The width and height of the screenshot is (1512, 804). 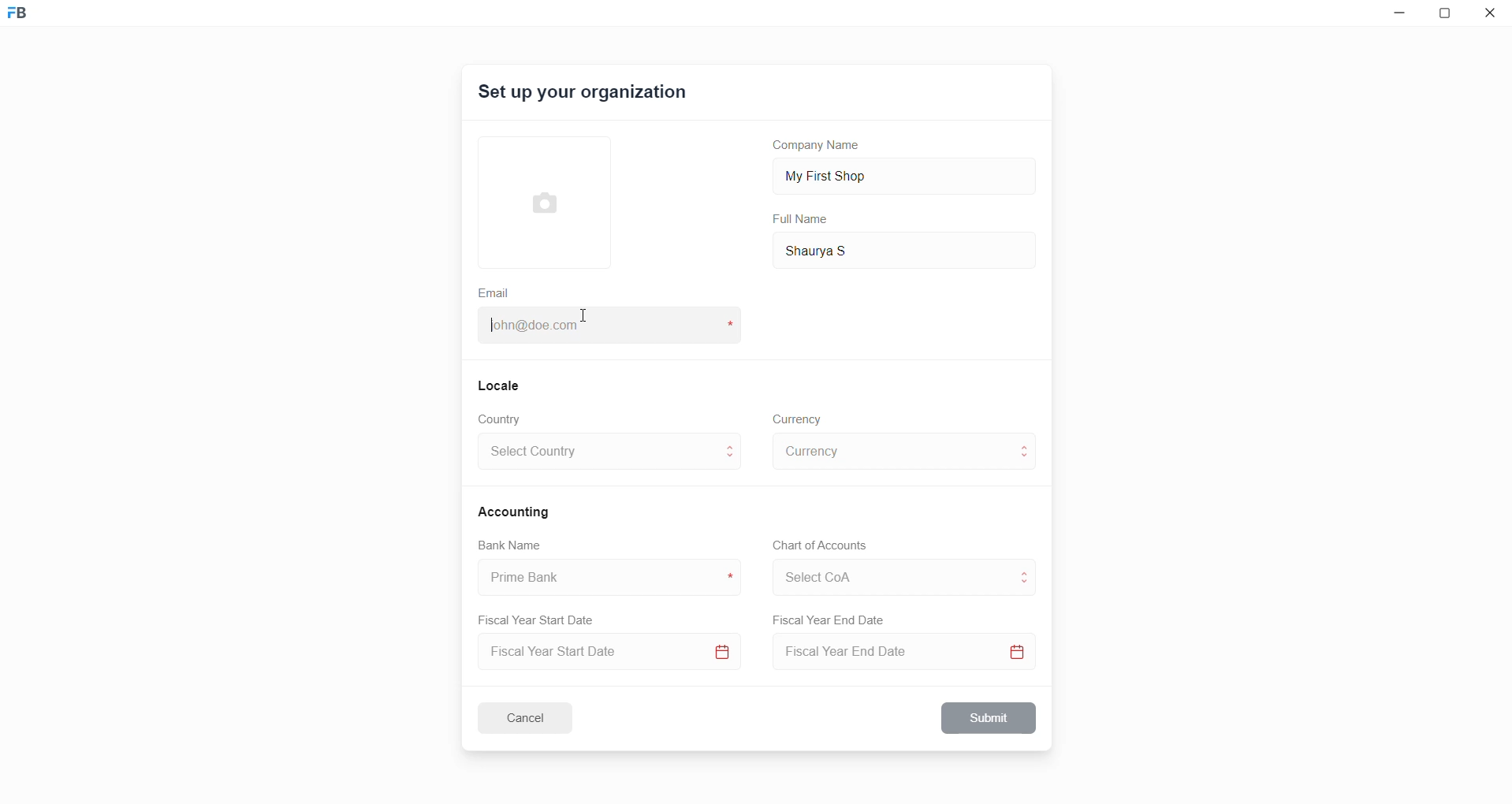 What do you see at coordinates (584, 95) in the screenshot?
I see `Set up your organization` at bounding box center [584, 95].